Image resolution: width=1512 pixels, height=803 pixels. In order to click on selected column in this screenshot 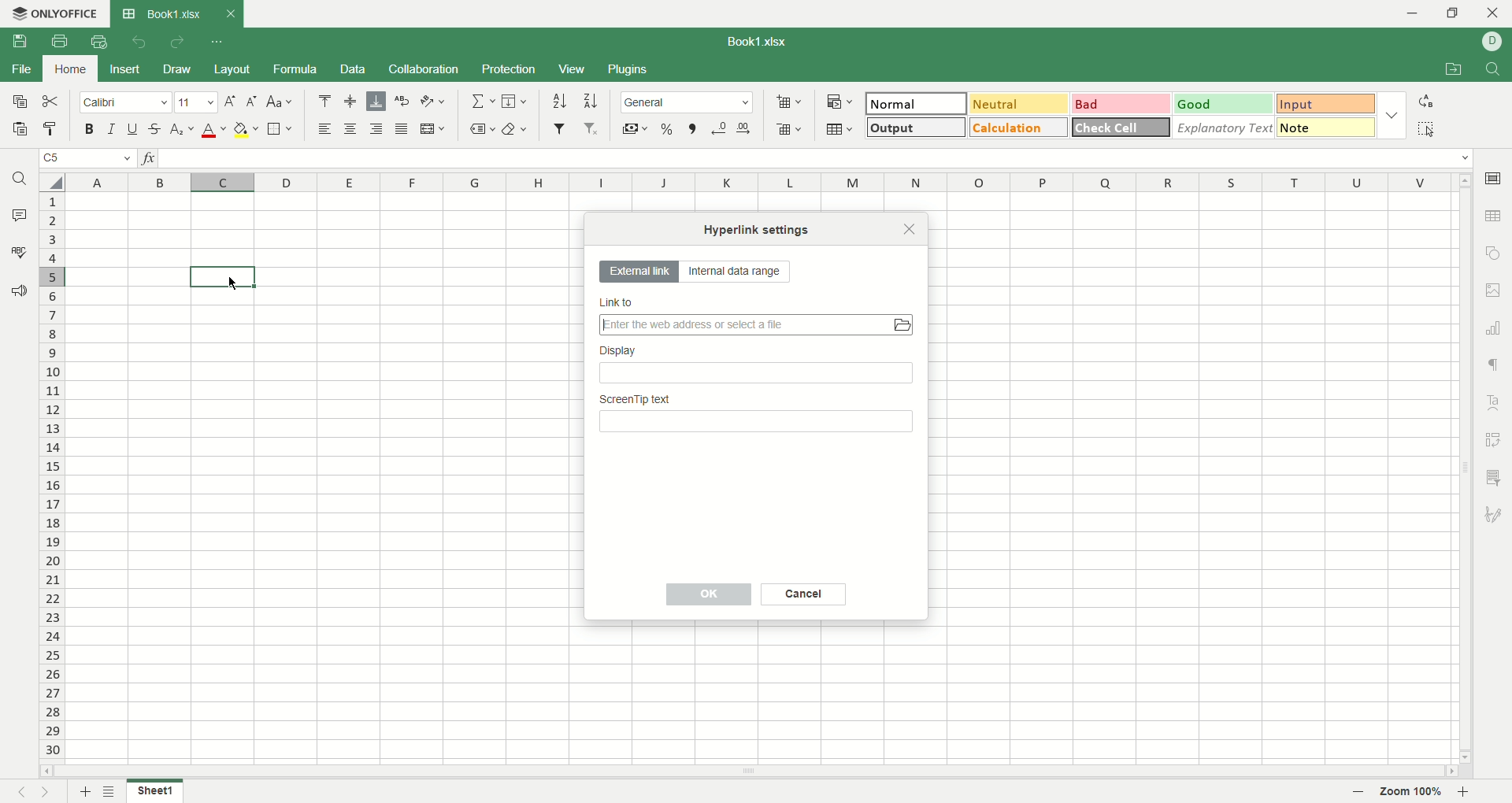, I will do `click(224, 181)`.